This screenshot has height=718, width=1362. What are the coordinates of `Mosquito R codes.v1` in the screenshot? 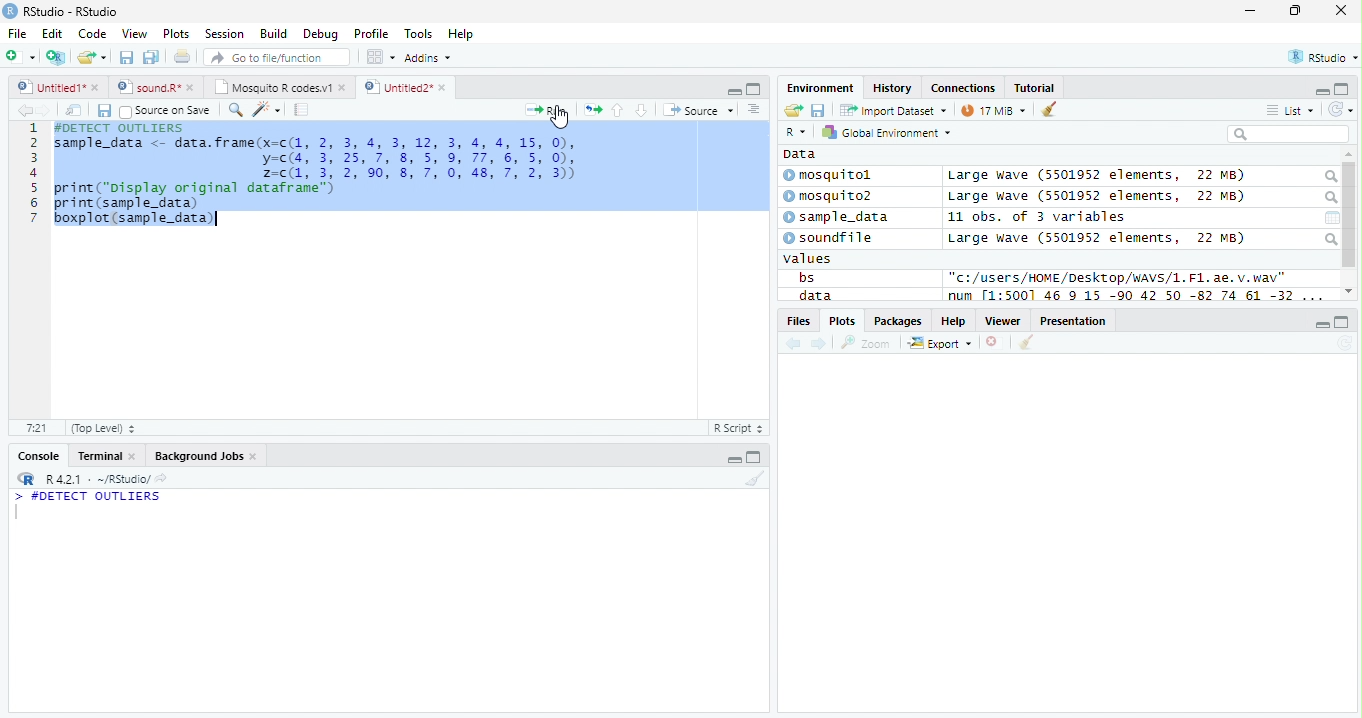 It's located at (277, 86).